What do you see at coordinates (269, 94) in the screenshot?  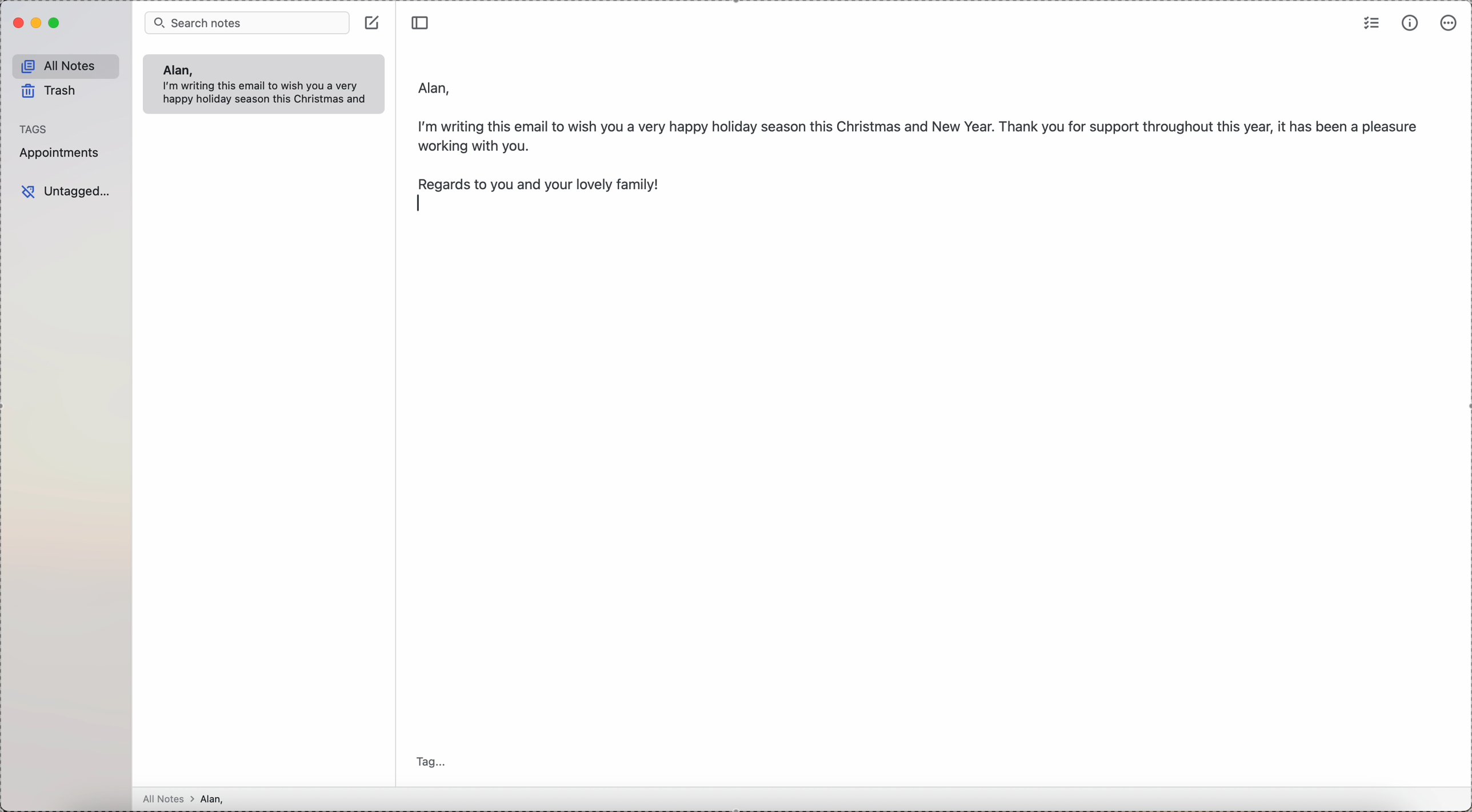 I see `body text: I'm writing this email to wish you a very happy holiday season this Christmas and` at bounding box center [269, 94].